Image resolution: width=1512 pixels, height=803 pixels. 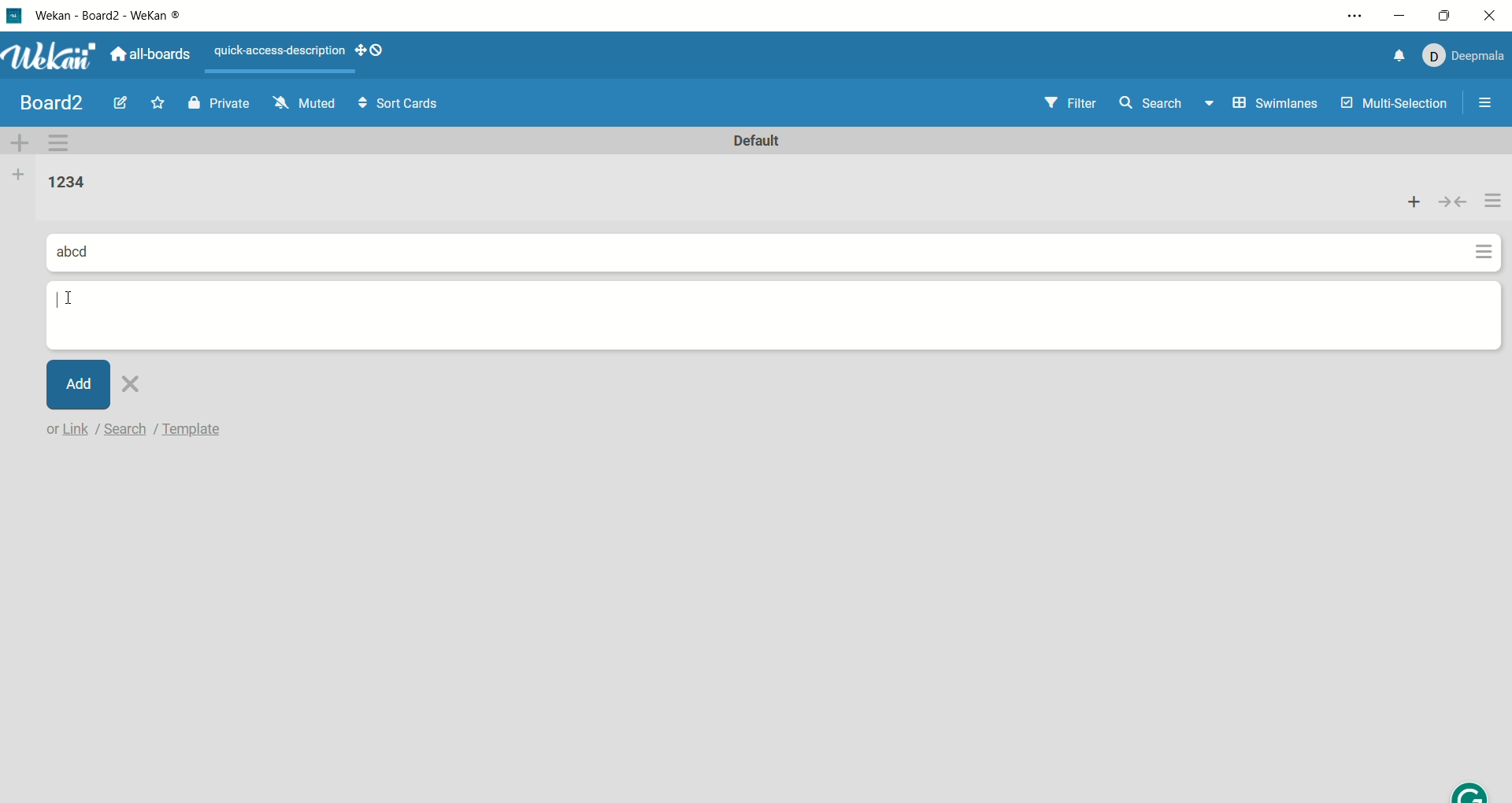 What do you see at coordinates (72, 303) in the screenshot?
I see `cursor` at bounding box center [72, 303].